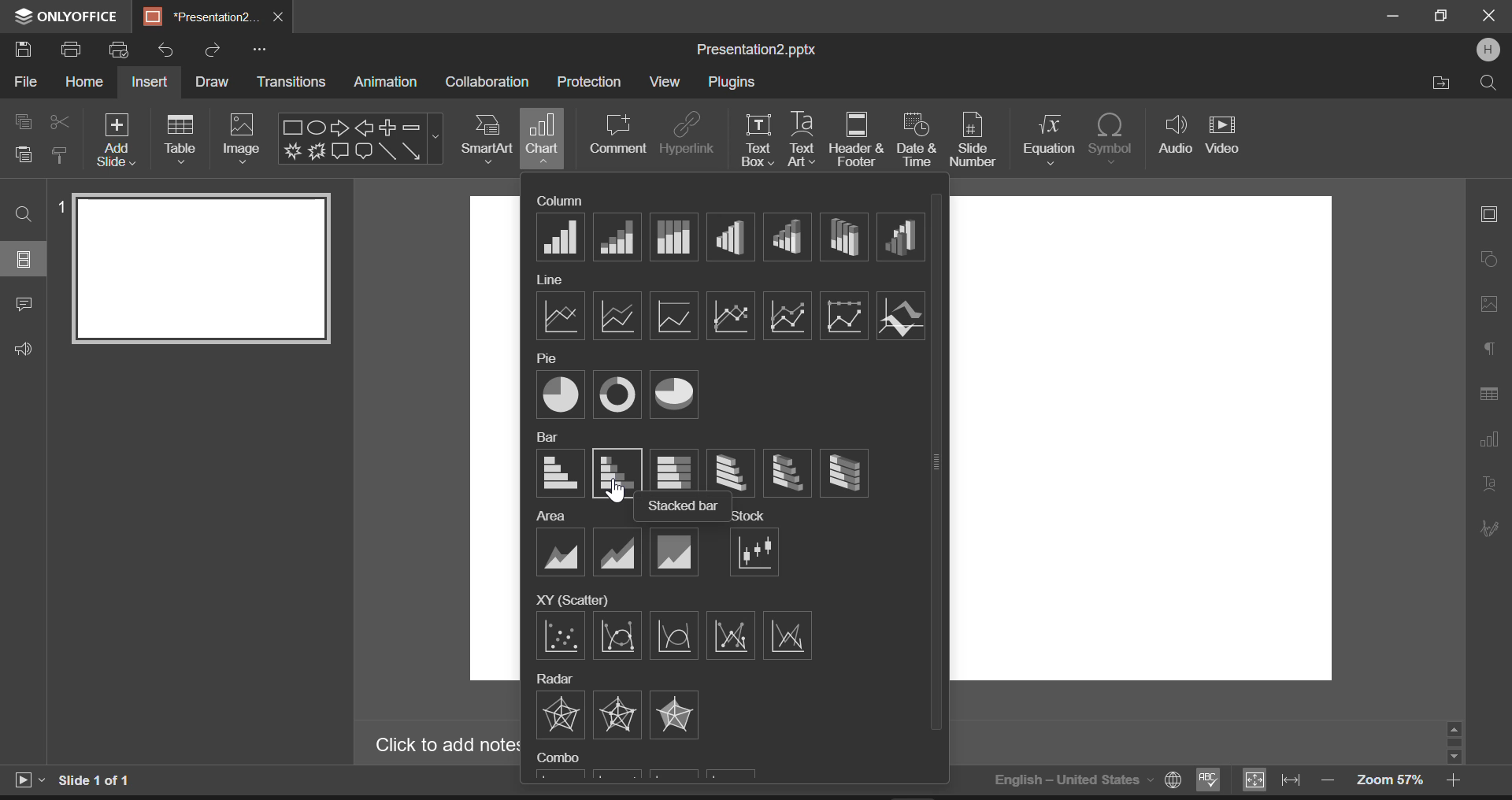  I want to click on Bar, so click(547, 436).